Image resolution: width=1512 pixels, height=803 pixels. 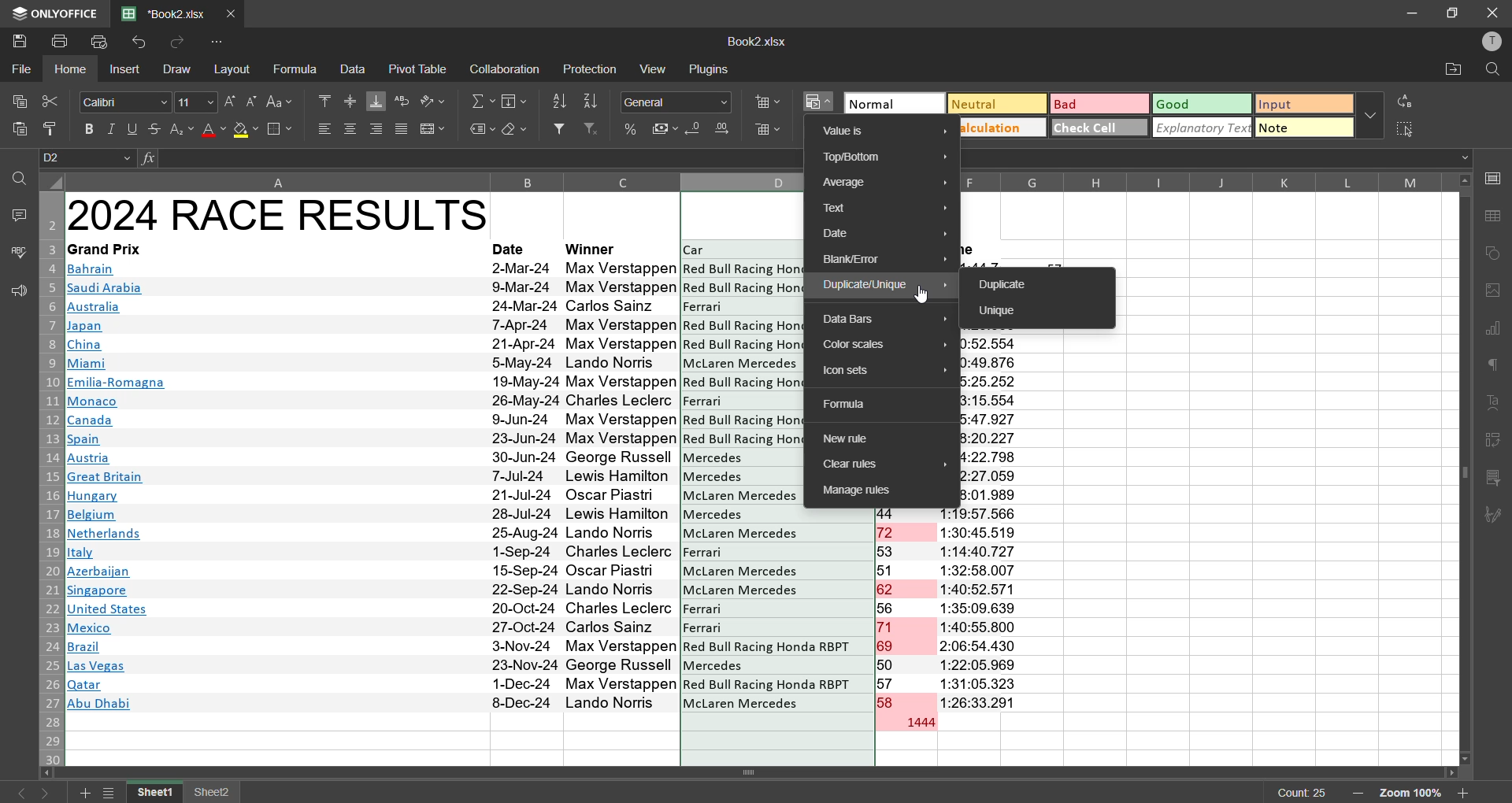 I want to click on insert, so click(x=126, y=71).